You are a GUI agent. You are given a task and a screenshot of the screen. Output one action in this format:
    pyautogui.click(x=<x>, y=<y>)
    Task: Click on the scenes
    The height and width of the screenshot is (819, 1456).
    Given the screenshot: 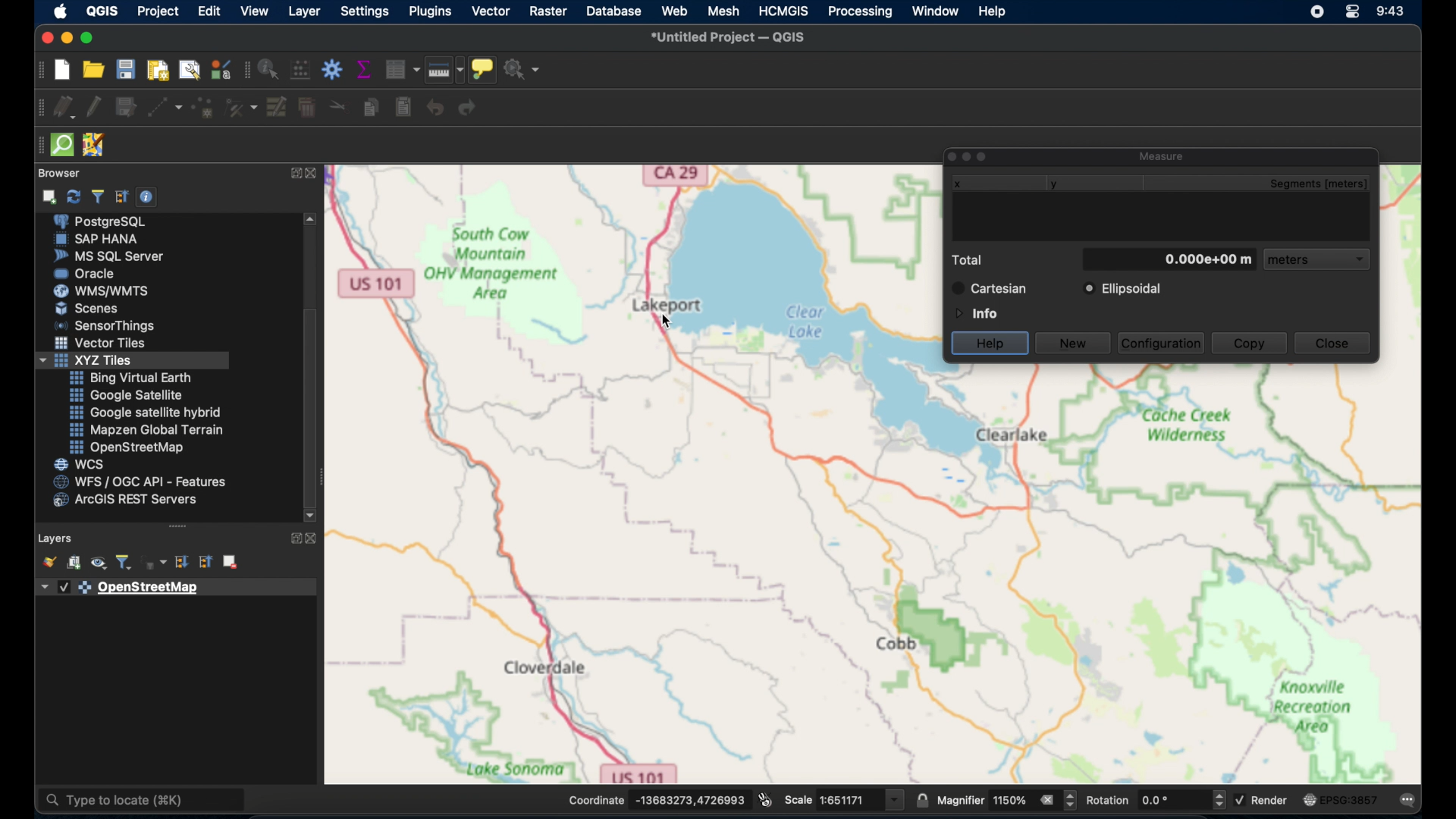 What is the action you would take?
    pyautogui.click(x=87, y=308)
    